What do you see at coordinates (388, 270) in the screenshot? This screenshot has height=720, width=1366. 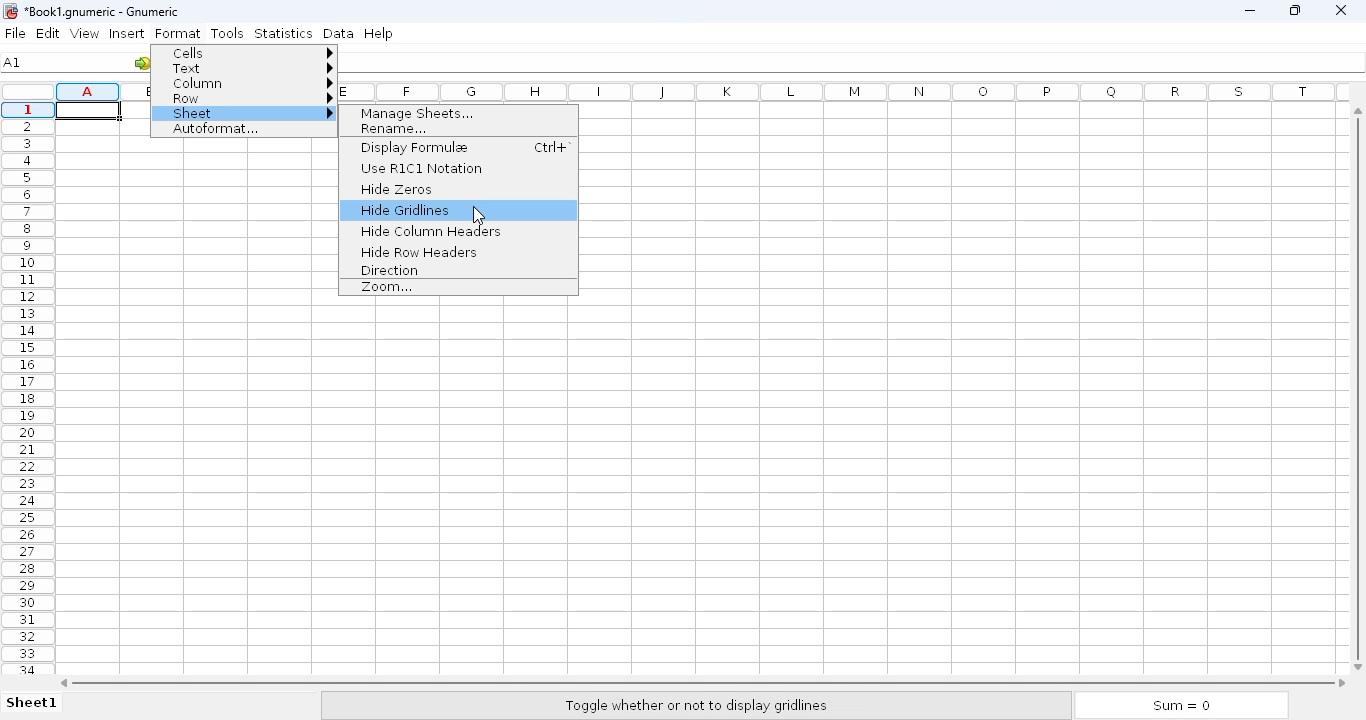 I see `direction` at bounding box center [388, 270].